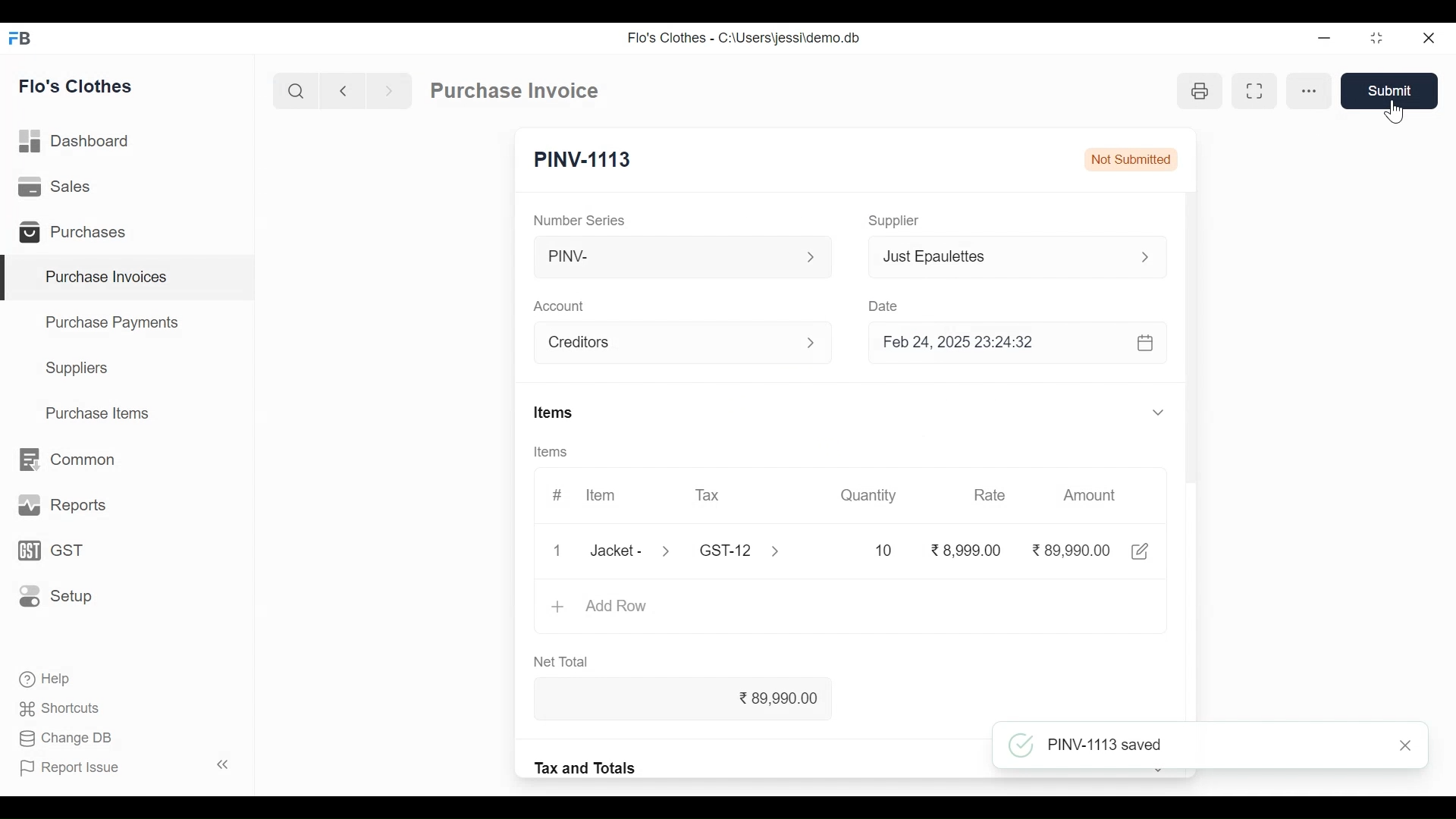  What do you see at coordinates (1160, 412) in the screenshot?
I see `Expand` at bounding box center [1160, 412].